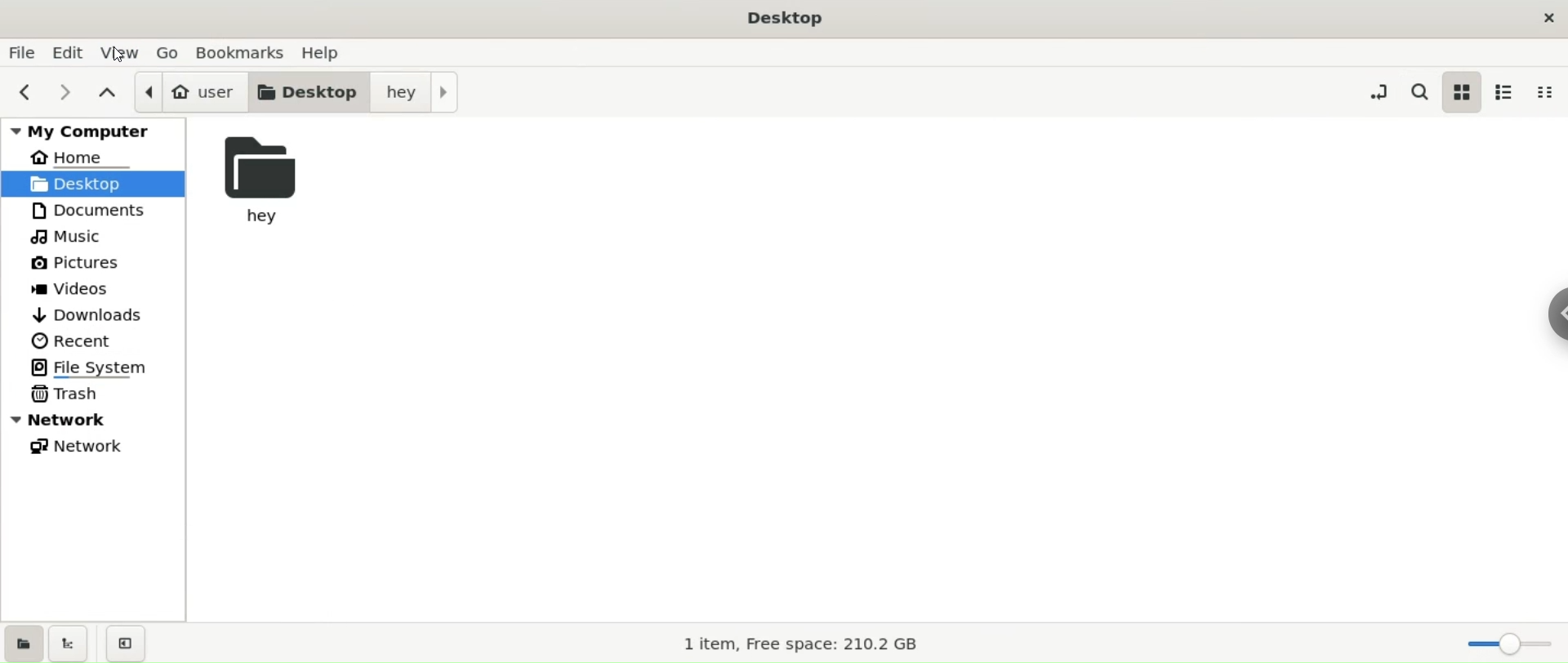 The height and width of the screenshot is (663, 1568). Describe the element at coordinates (100, 158) in the screenshot. I see `home` at that location.